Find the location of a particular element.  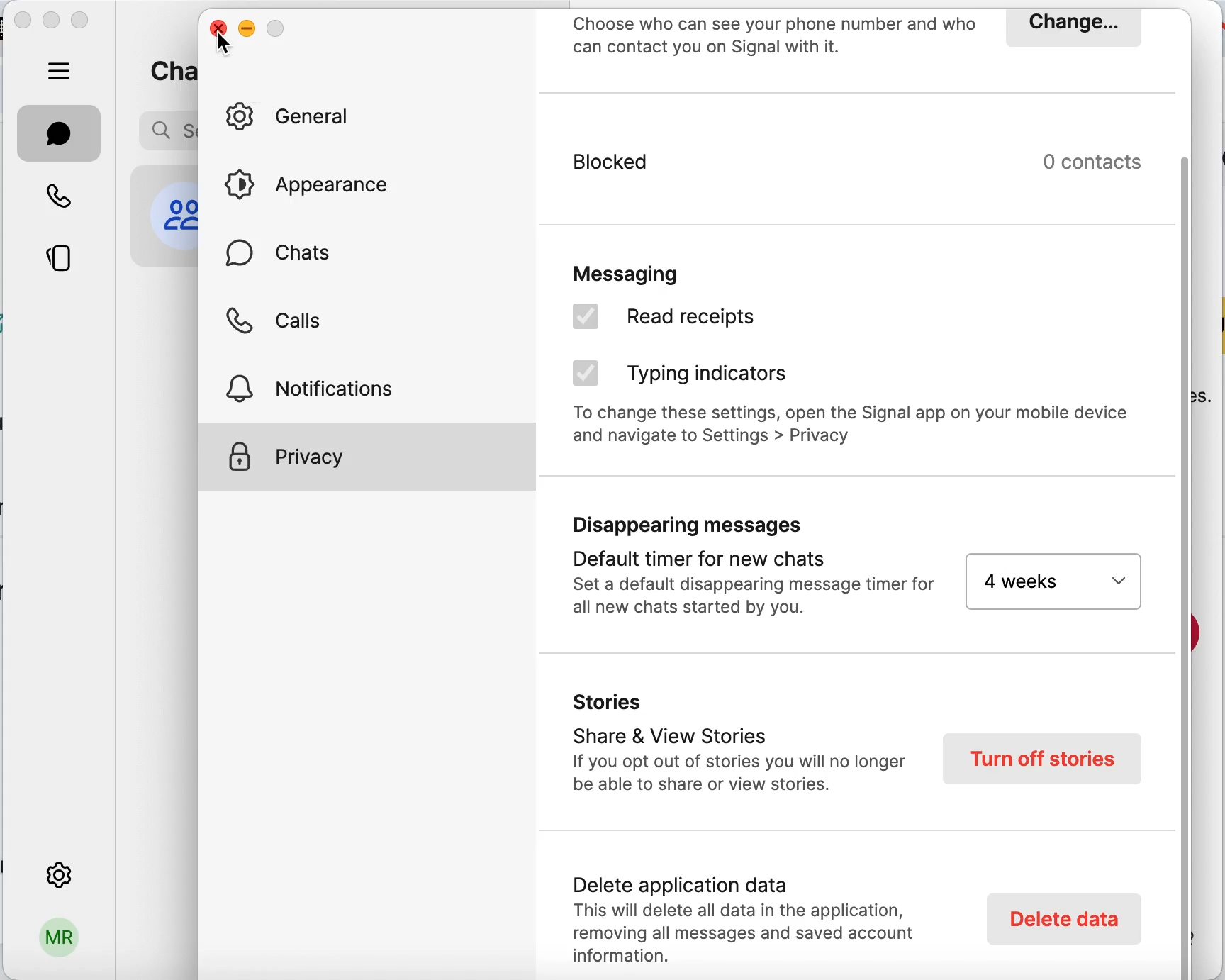

change is located at coordinates (1071, 27).